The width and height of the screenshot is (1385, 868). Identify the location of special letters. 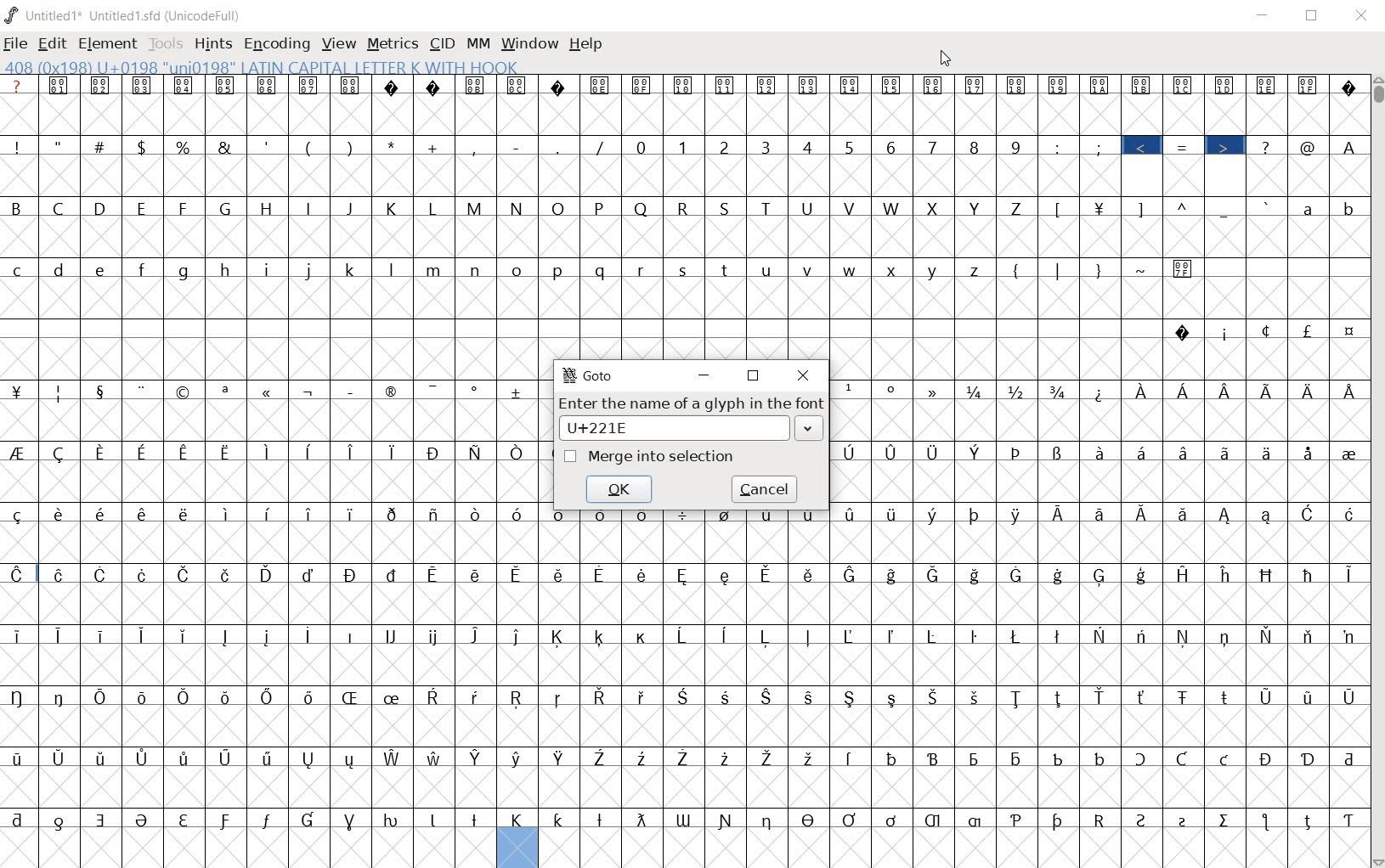
(687, 514).